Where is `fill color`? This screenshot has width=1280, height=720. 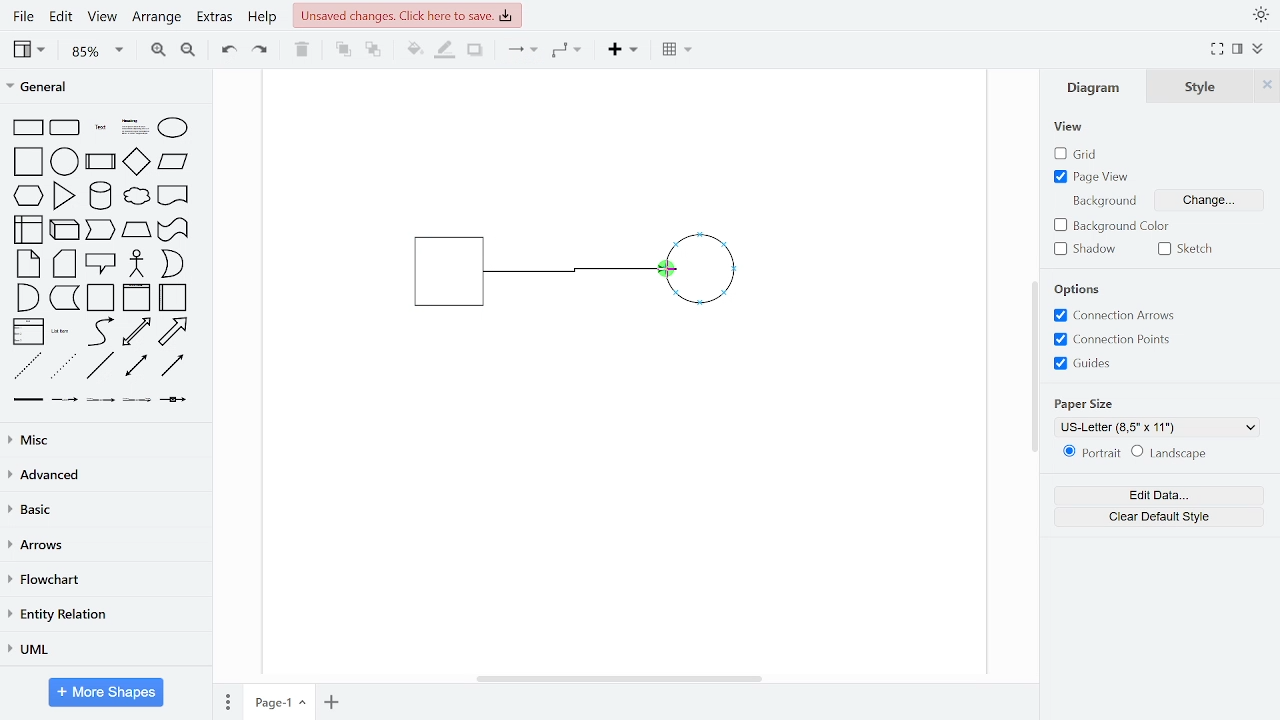
fill color is located at coordinates (415, 50).